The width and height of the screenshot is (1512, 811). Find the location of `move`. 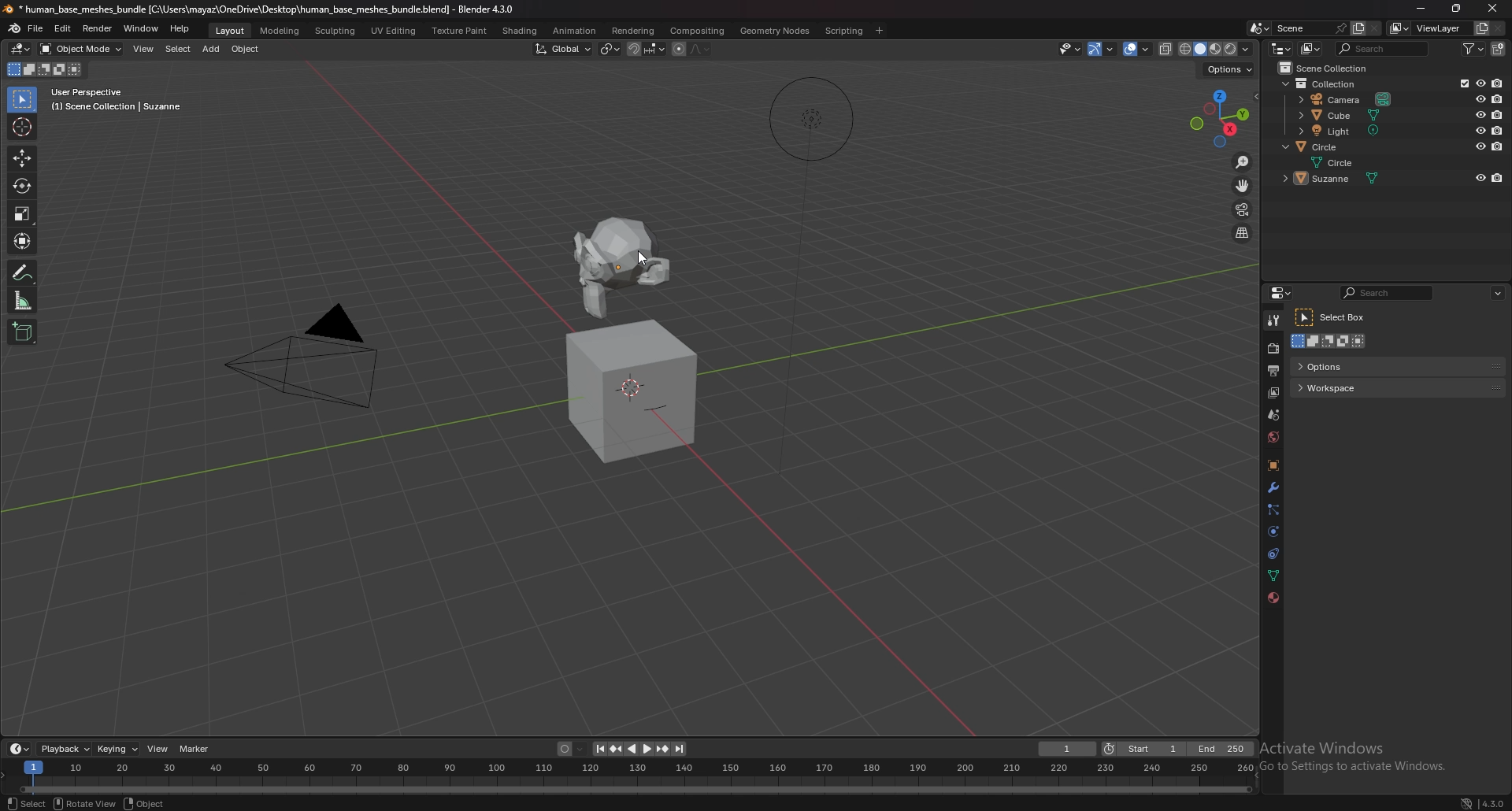

move is located at coordinates (1243, 185).